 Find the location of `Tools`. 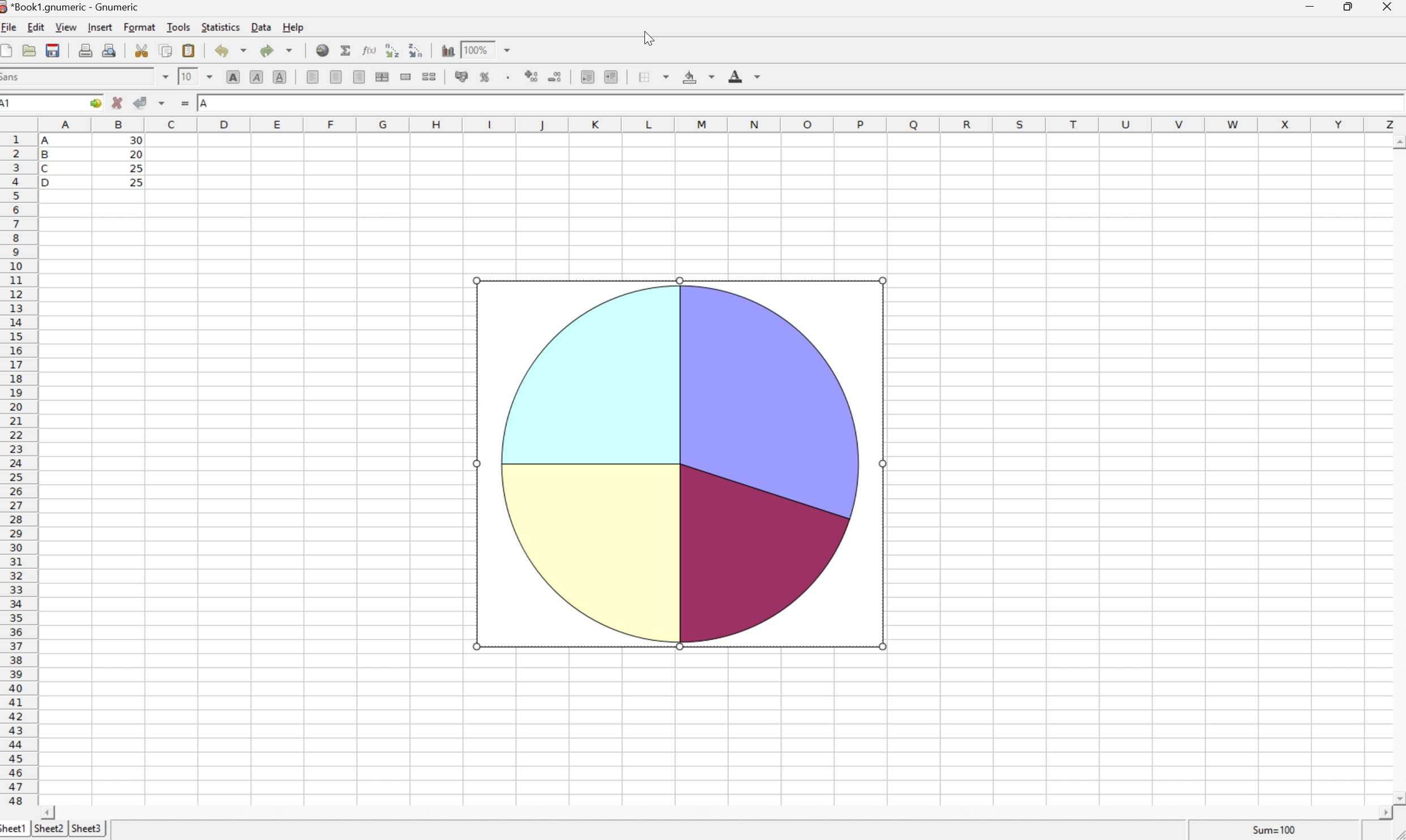

Tools is located at coordinates (178, 27).